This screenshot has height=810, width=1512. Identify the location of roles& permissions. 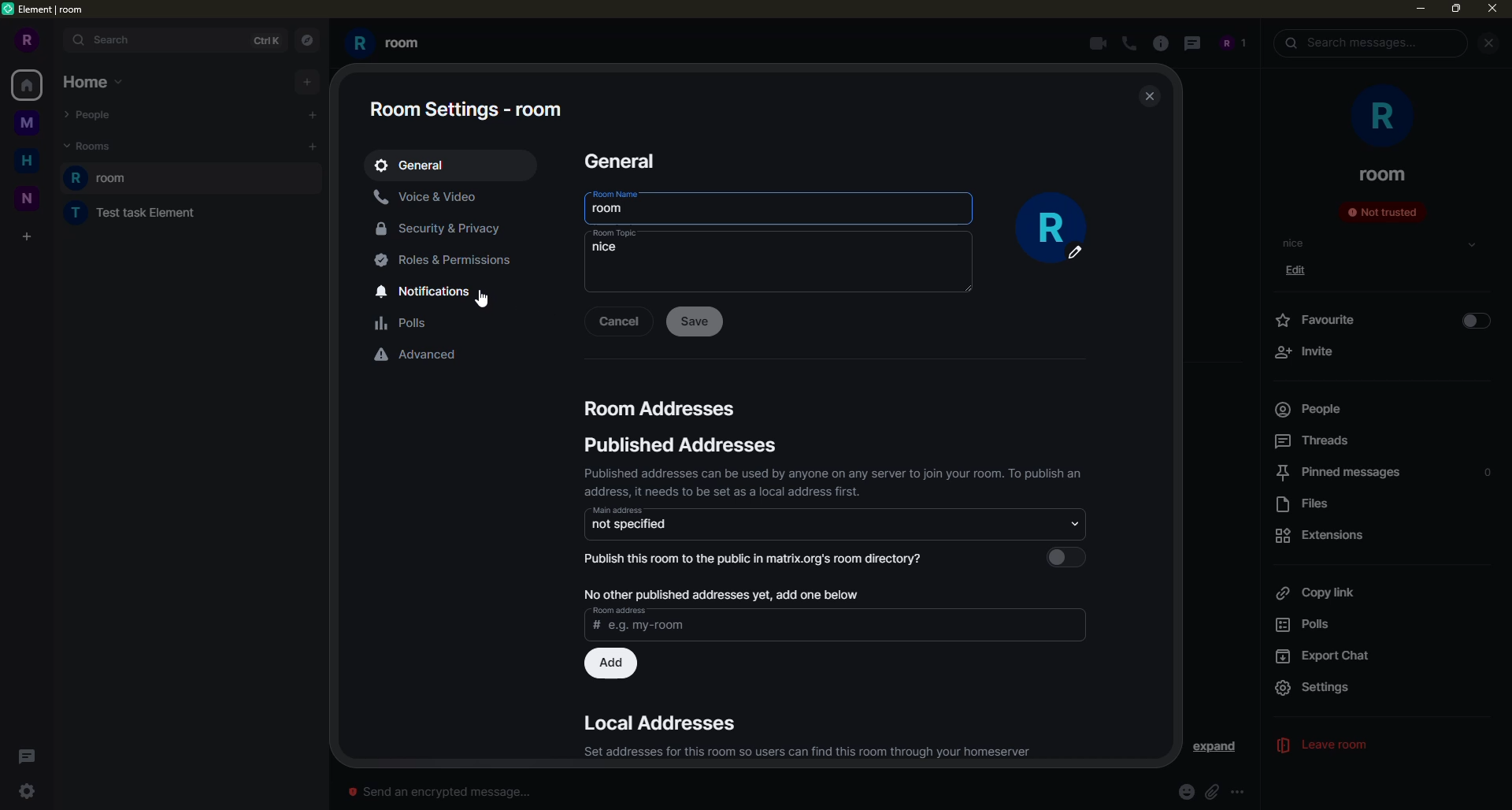
(446, 260).